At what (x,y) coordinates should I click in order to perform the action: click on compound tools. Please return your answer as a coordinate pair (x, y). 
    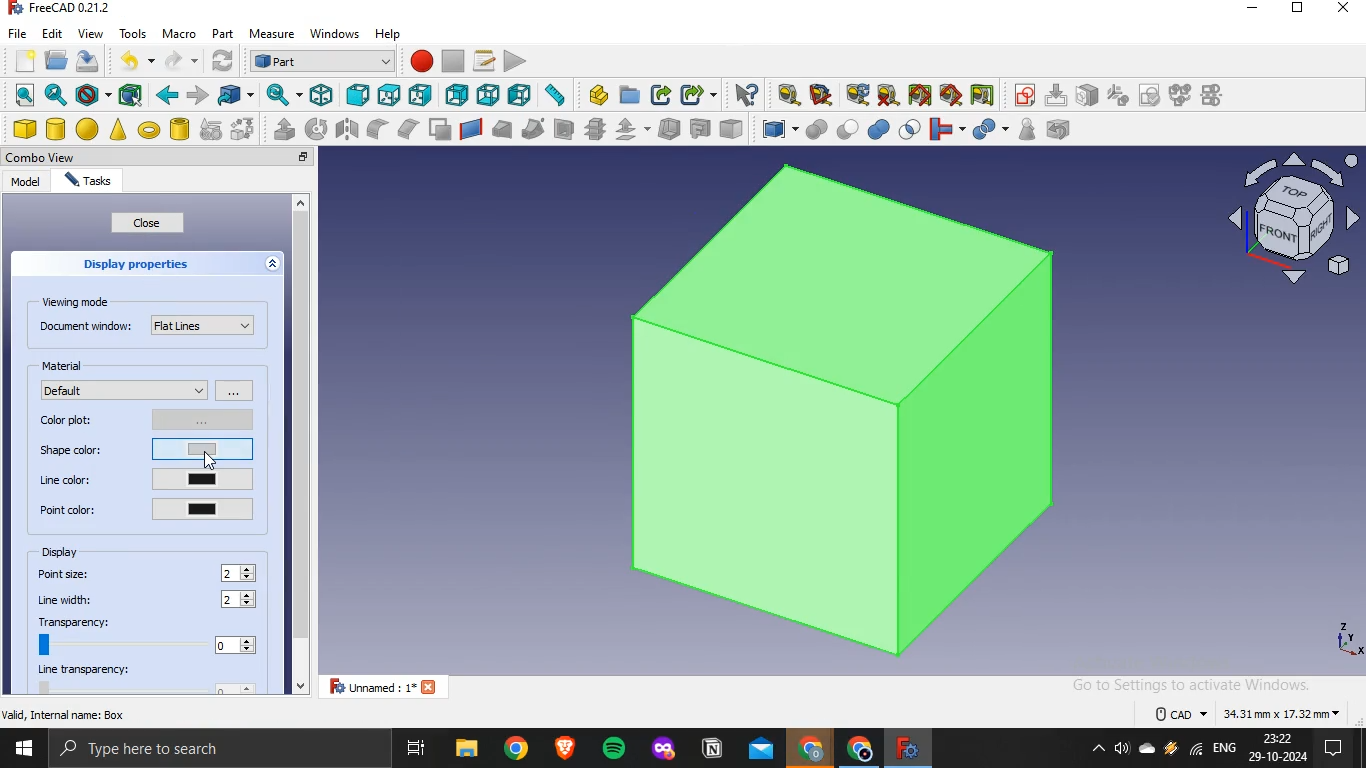
    Looking at the image, I should click on (771, 130).